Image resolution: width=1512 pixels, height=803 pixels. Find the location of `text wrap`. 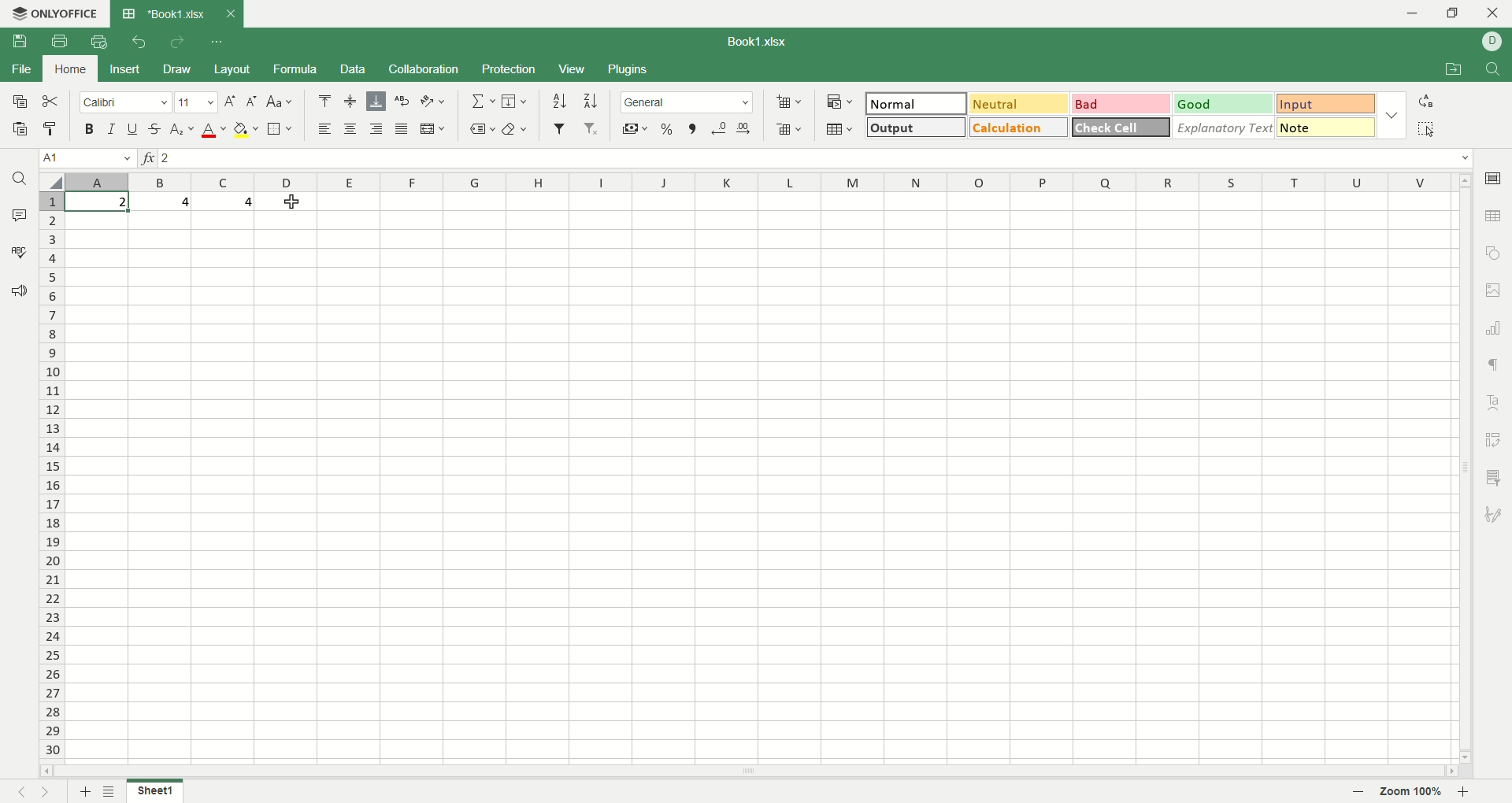

text wrap is located at coordinates (401, 102).